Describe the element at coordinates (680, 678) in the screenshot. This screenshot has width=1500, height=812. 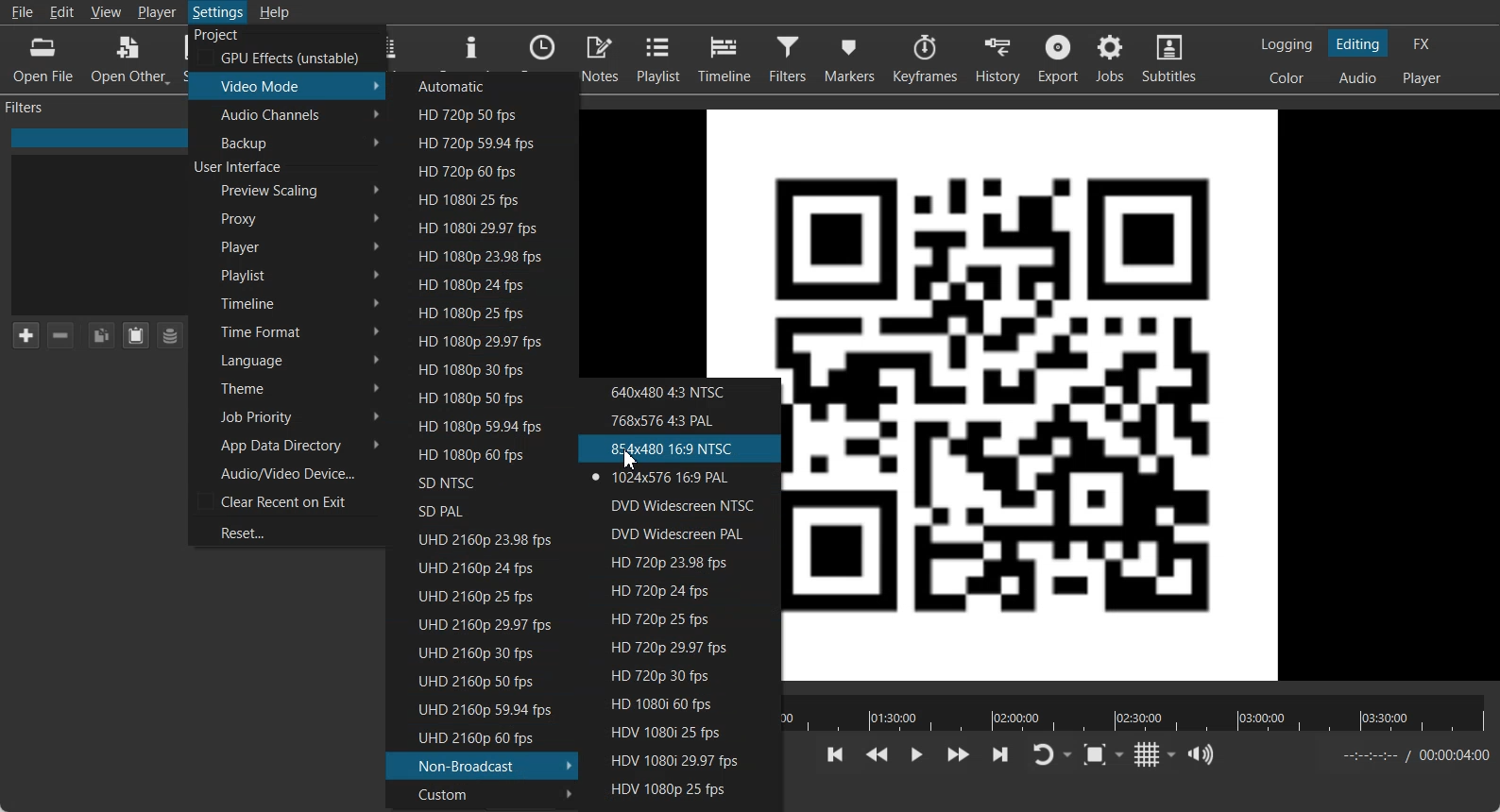
I see `HD 720p 30 fps` at that location.